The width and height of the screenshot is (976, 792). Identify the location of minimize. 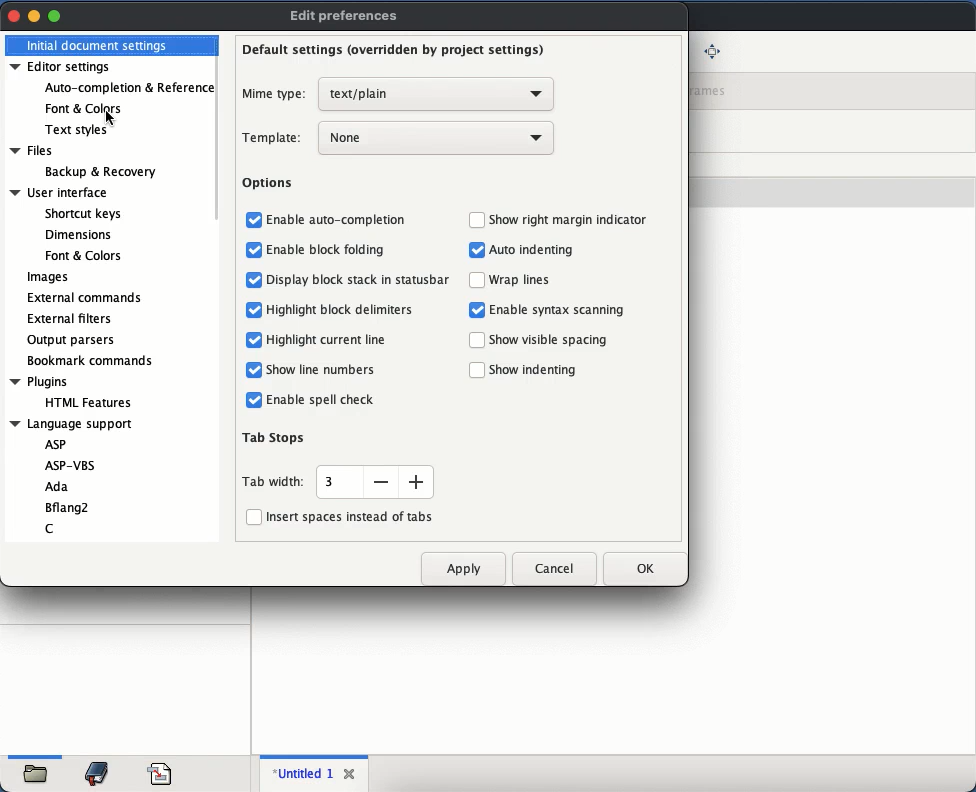
(34, 17).